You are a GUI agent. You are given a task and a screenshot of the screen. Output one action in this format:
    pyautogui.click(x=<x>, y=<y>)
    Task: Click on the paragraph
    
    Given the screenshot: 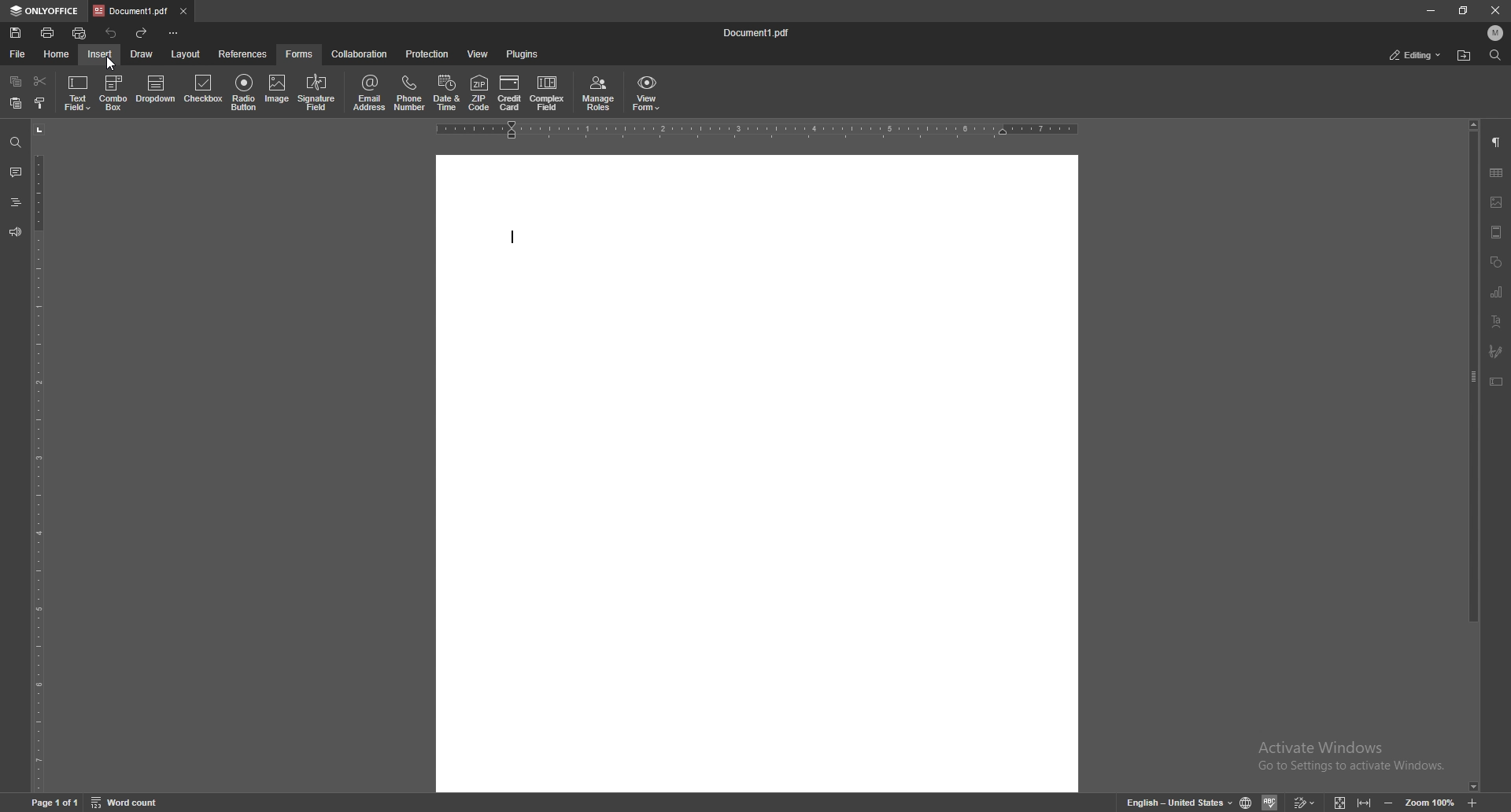 What is the action you would take?
    pyautogui.click(x=1498, y=142)
    